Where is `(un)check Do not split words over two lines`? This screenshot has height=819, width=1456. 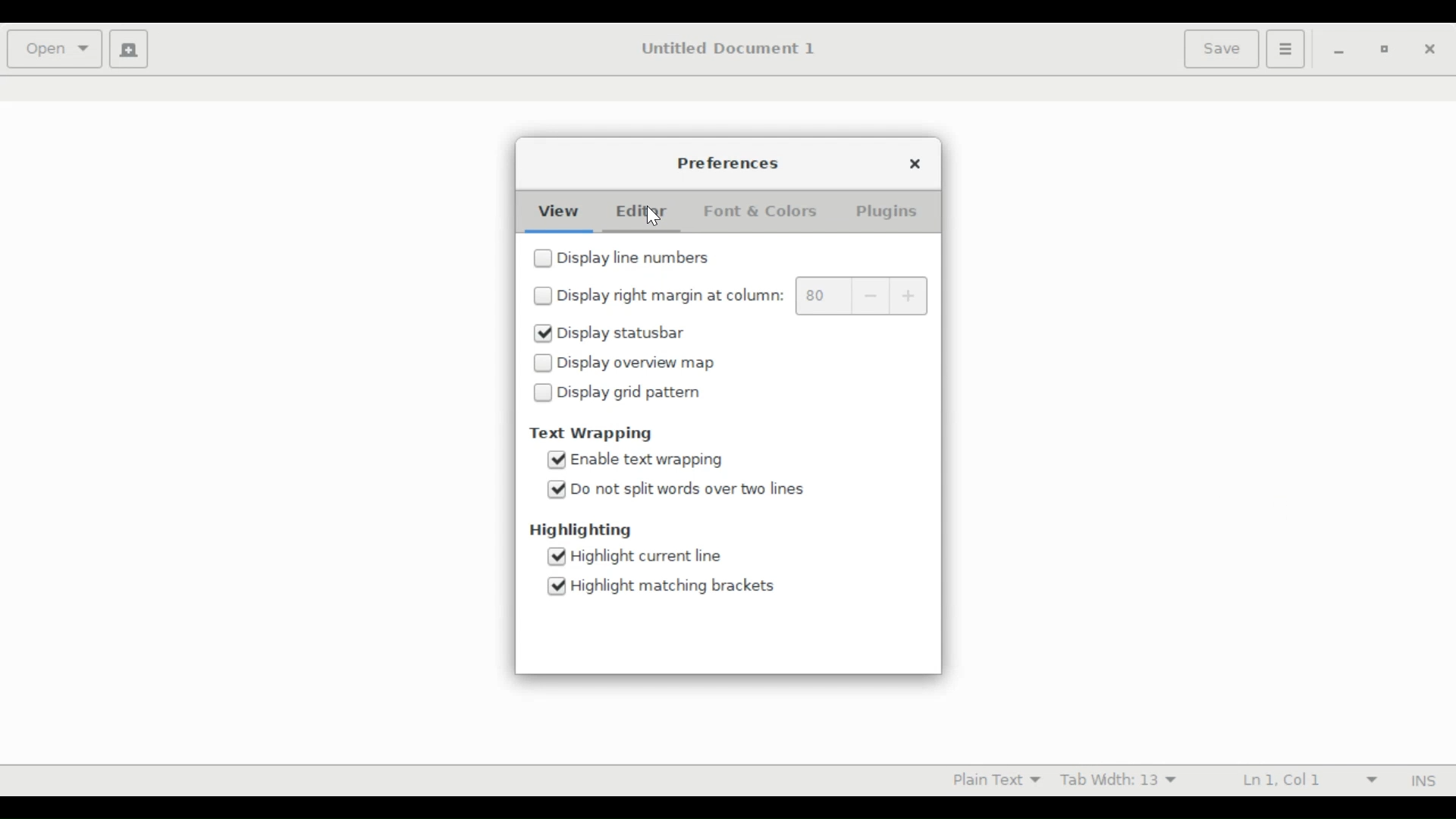 (un)check Do not split words over two lines is located at coordinates (694, 489).